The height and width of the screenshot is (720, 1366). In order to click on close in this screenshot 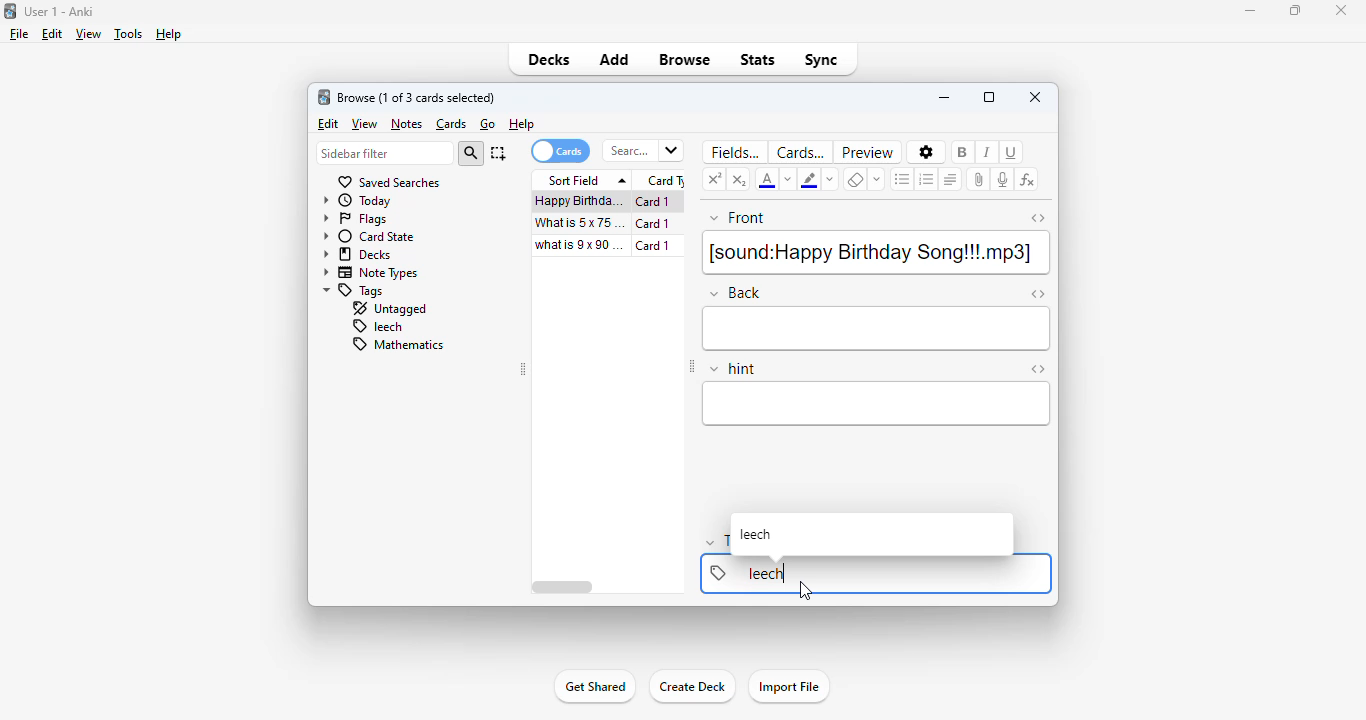, I will do `click(1035, 97)`.